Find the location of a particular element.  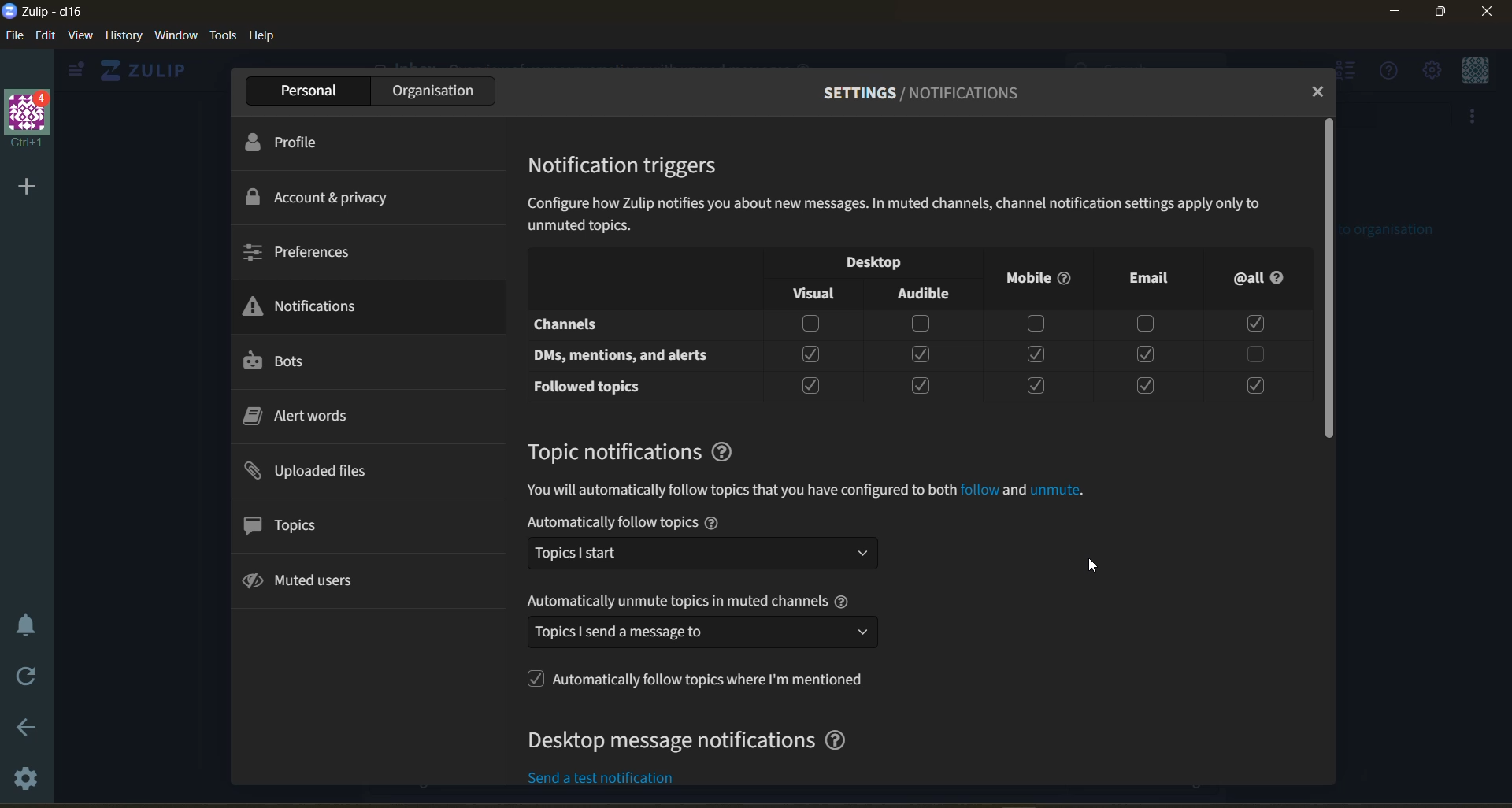

Email is located at coordinates (1148, 278).